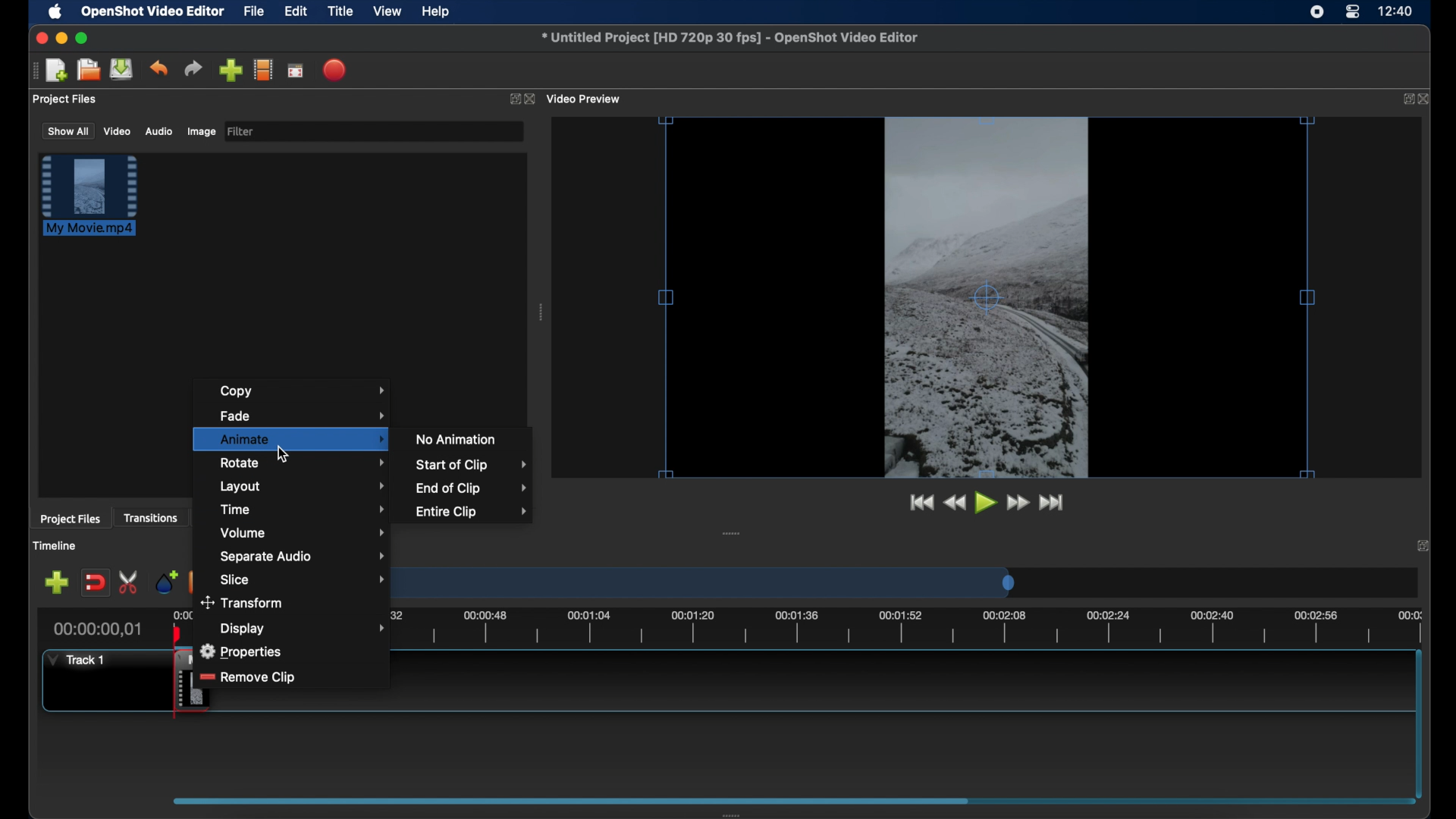 The image size is (1456, 819). I want to click on jump to start, so click(1053, 502).